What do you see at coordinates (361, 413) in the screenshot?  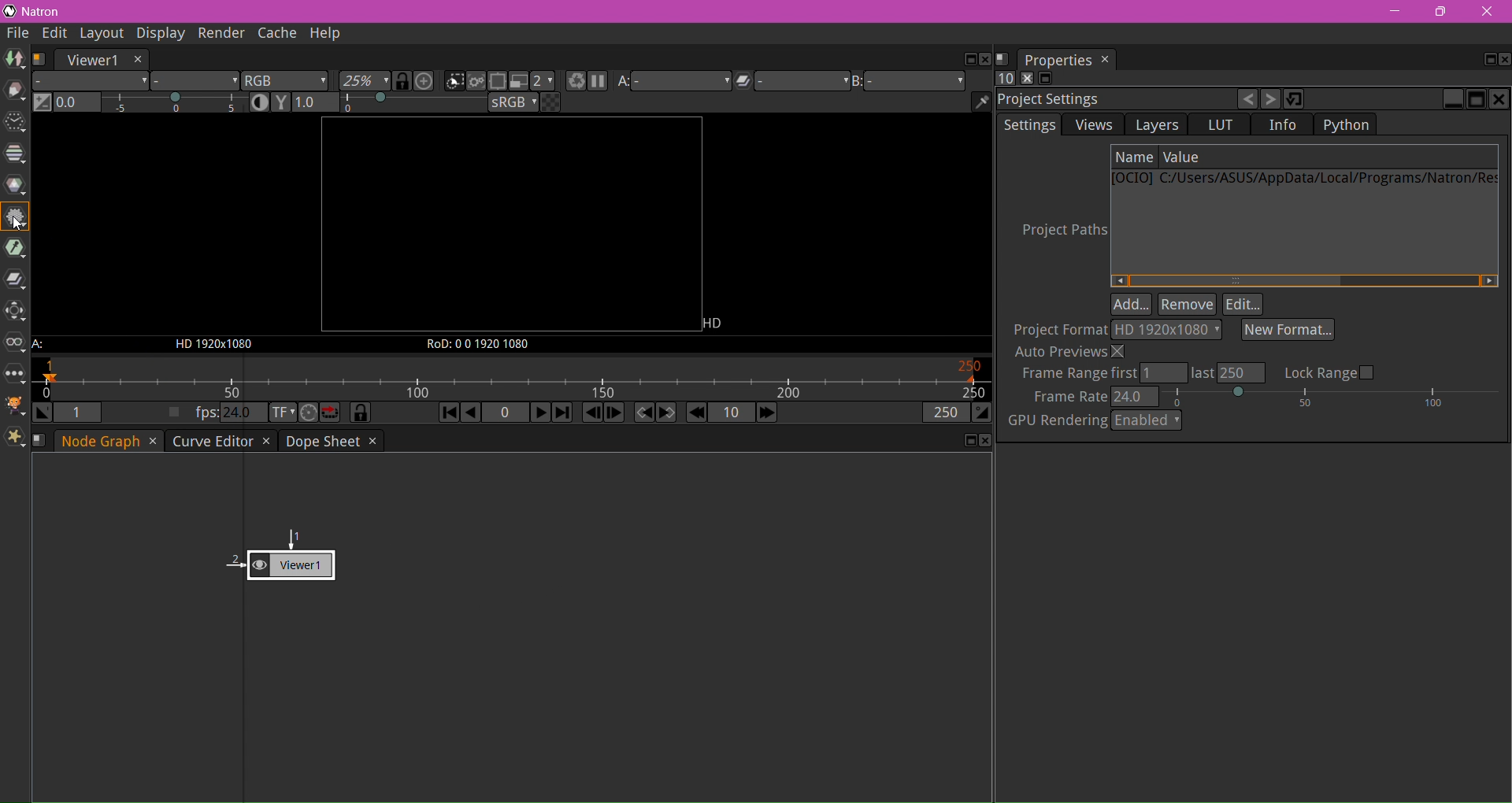 I see `When activated, the timeline frame-range is synchronized with the Dope Sheet and the Curve Editor` at bounding box center [361, 413].